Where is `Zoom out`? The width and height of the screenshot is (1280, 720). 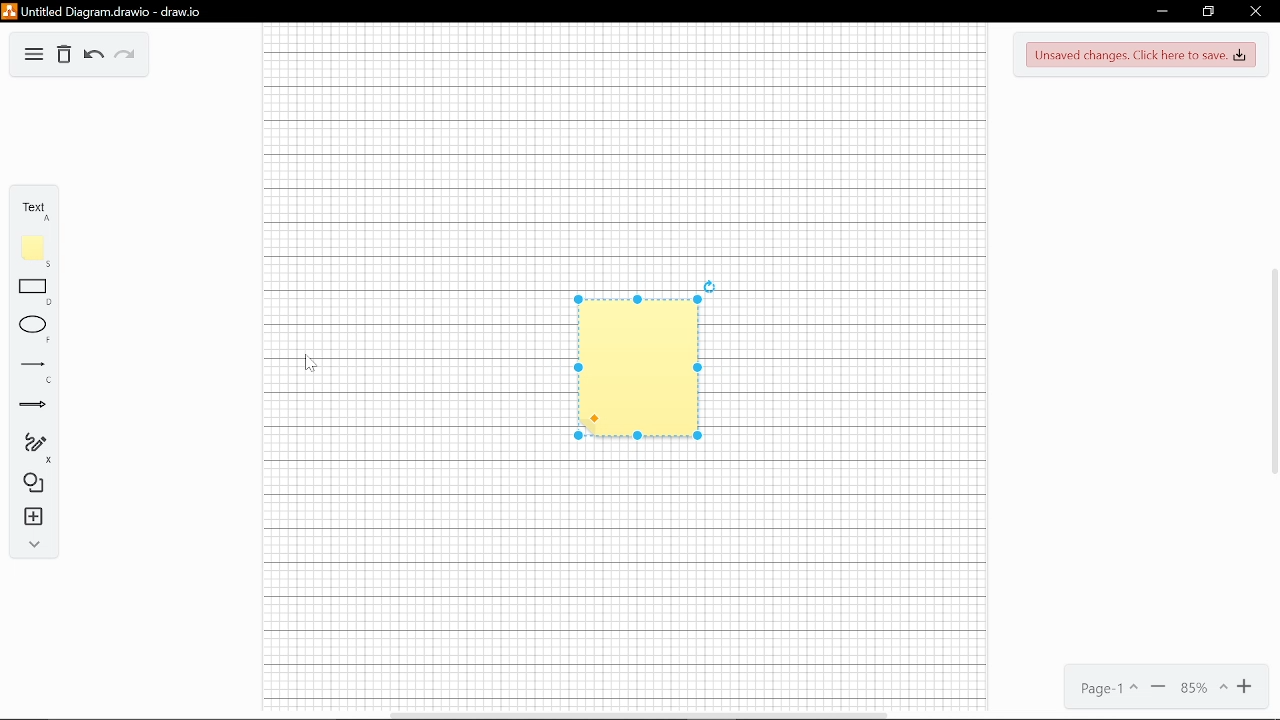
Zoom out is located at coordinates (1157, 687).